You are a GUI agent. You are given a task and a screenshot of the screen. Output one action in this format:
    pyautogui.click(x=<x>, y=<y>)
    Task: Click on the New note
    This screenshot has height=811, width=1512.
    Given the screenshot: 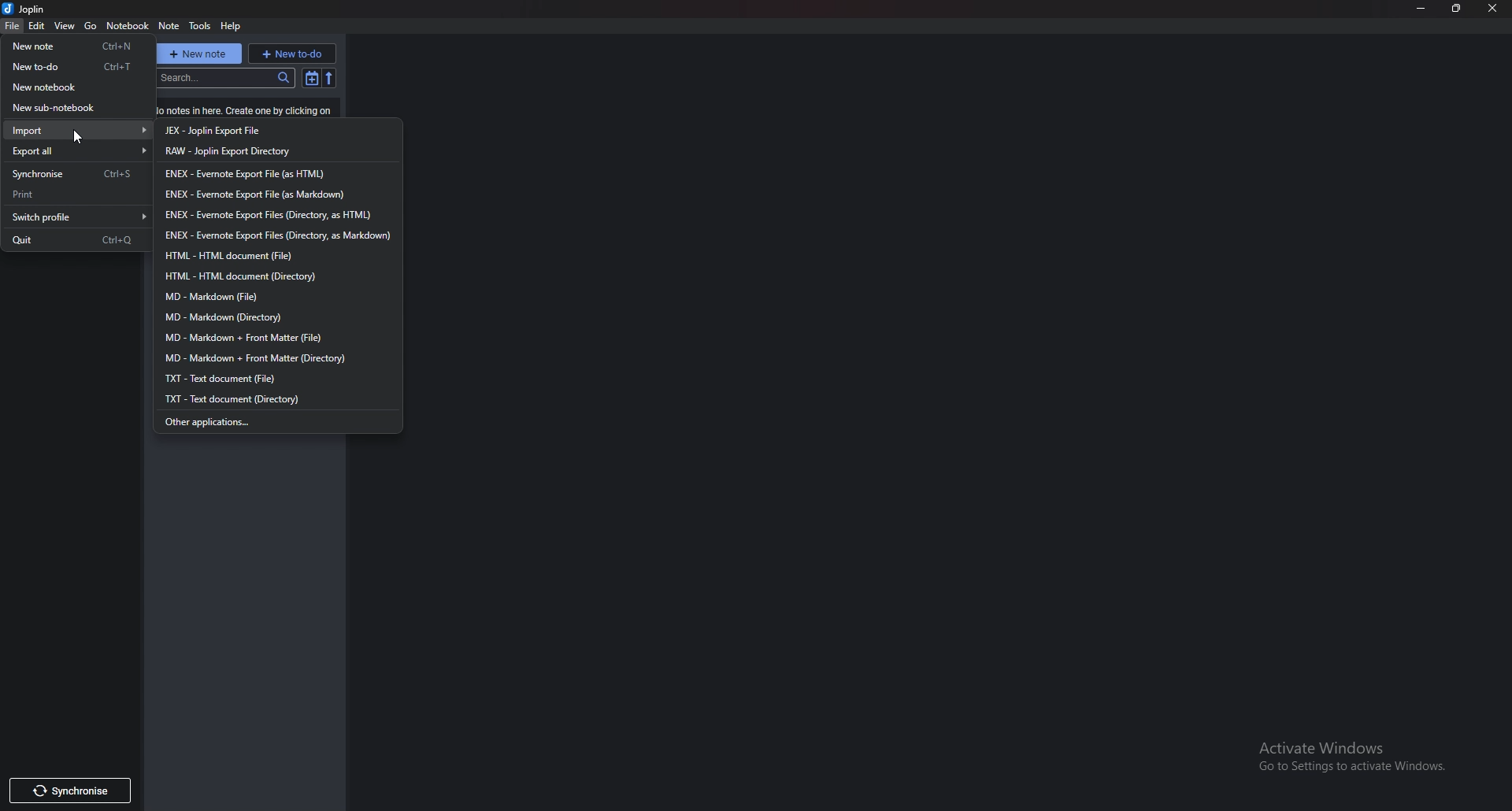 What is the action you would take?
    pyautogui.click(x=76, y=46)
    